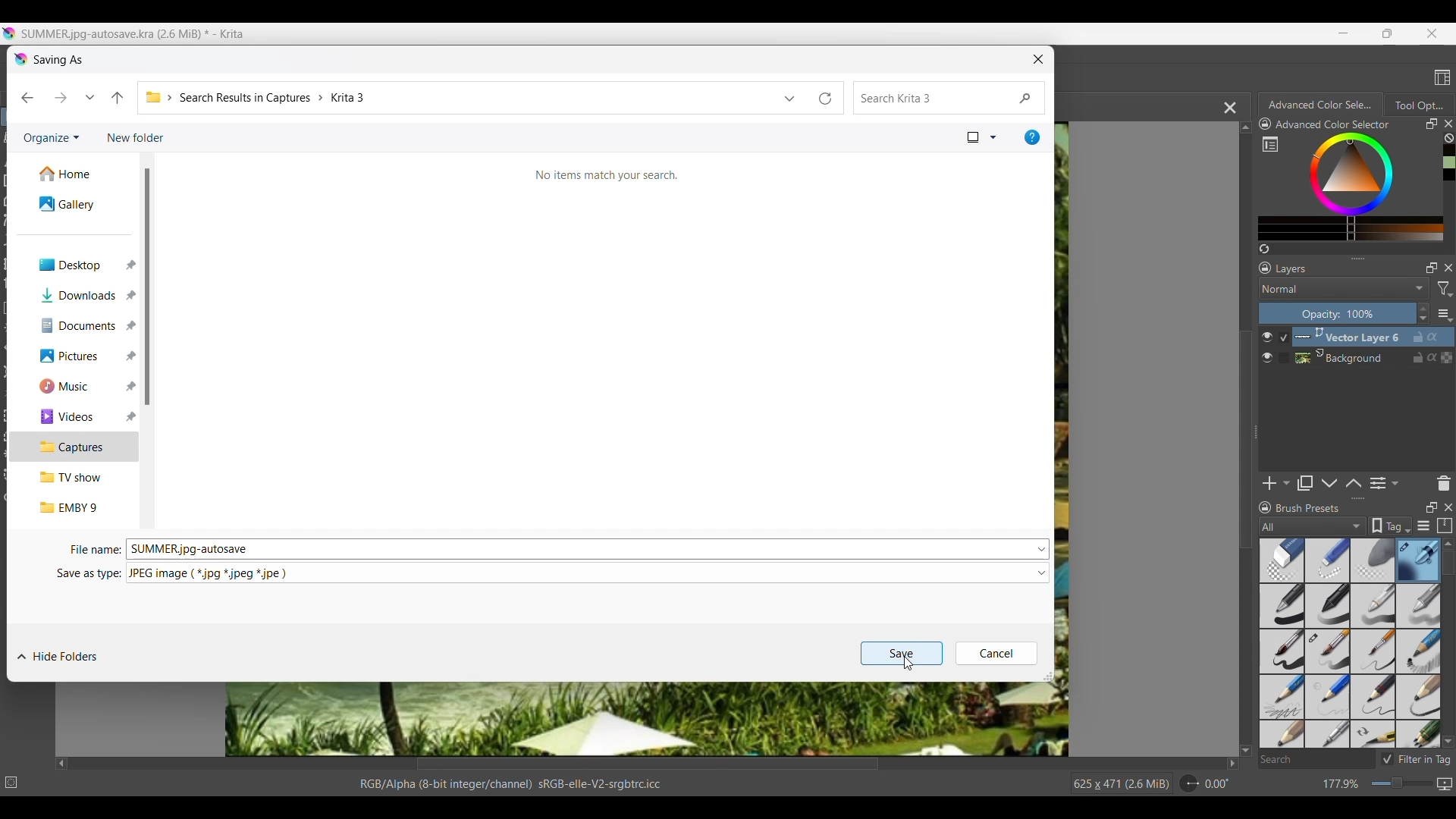 Image resolution: width=1456 pixels, height=819 pixels. What do you see at coordinates (61, 97) in the screenshot?
I see `Go forward` at bounding box center [61, 97].